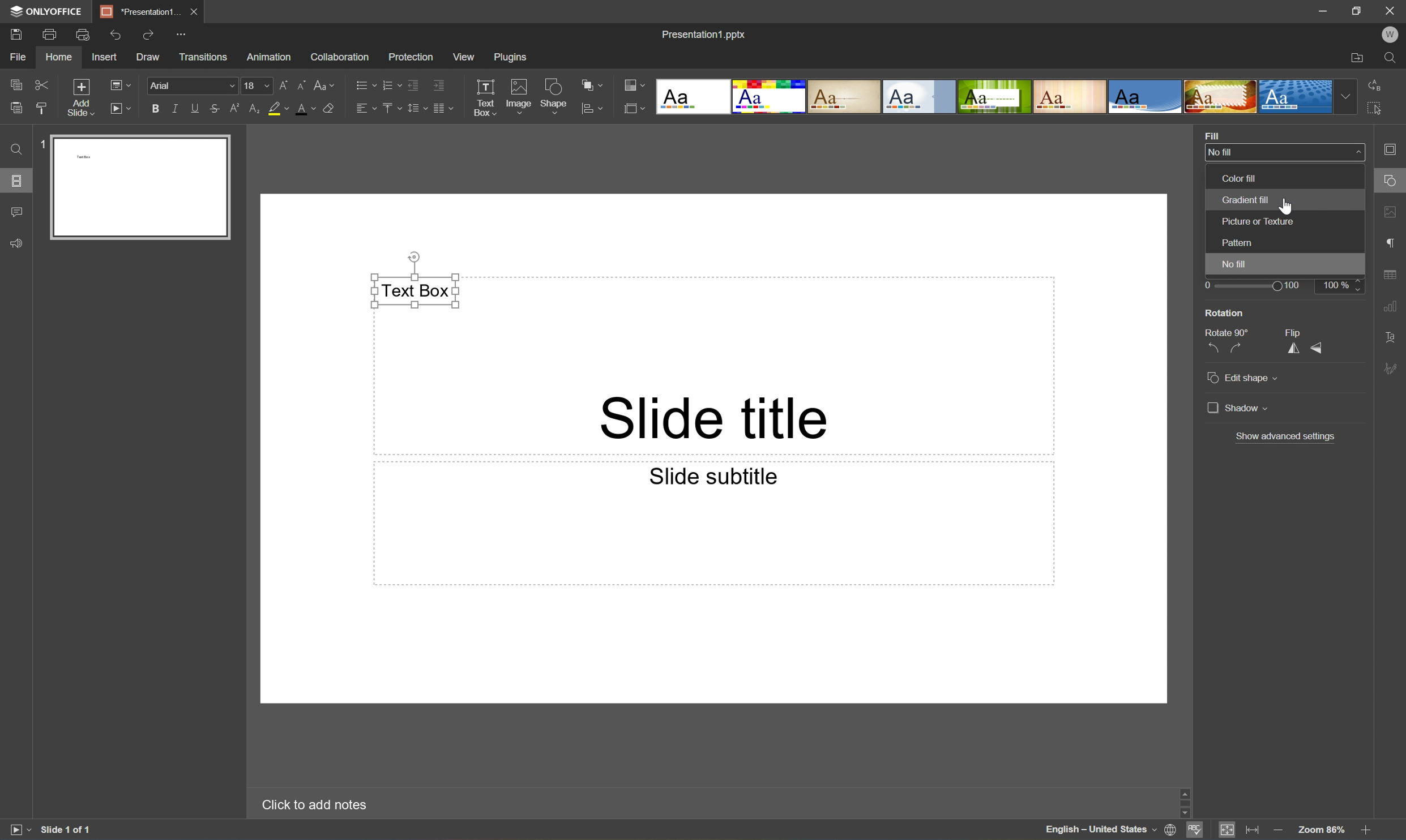 The height and width of the screenshot is (840, 1406). I want to click on Open file location, so click(1358, 57).